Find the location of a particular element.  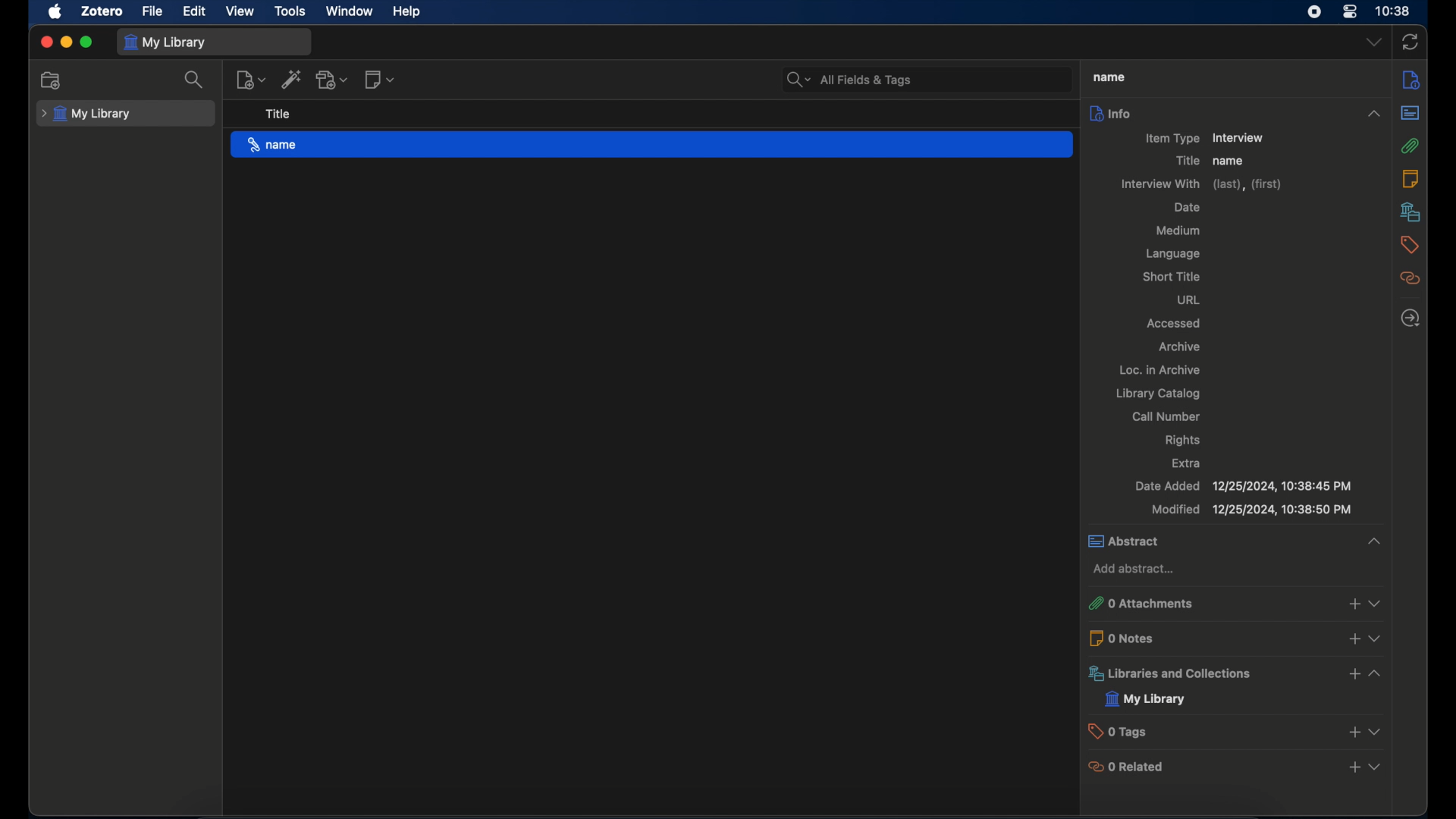

abstract is located at coordinates (1237, 542).